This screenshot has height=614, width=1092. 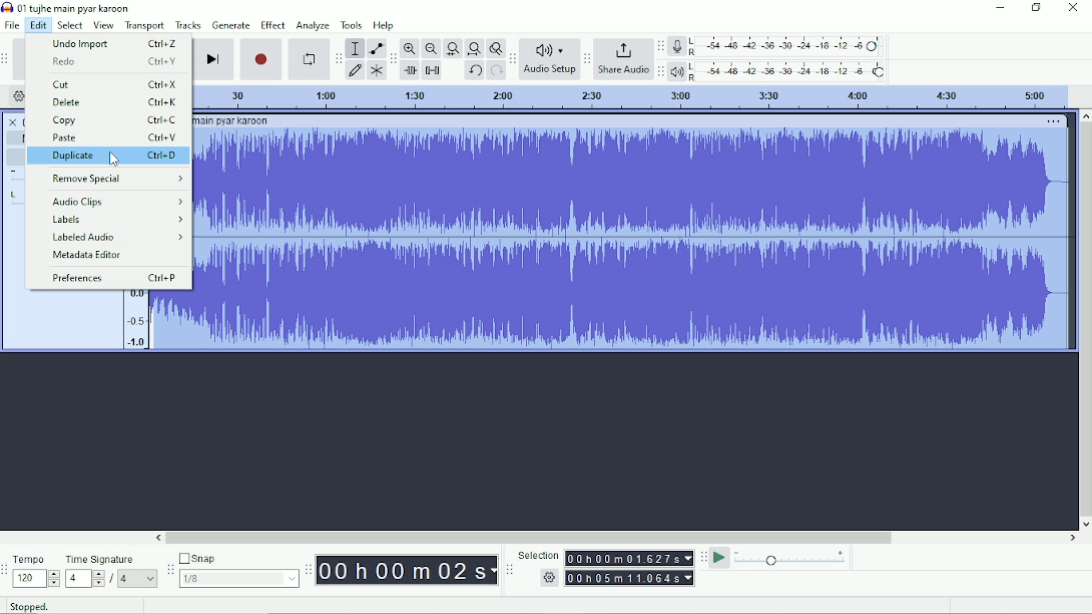 I want to click on Audacity audio setup toolbar, so click(x=512, y=59).